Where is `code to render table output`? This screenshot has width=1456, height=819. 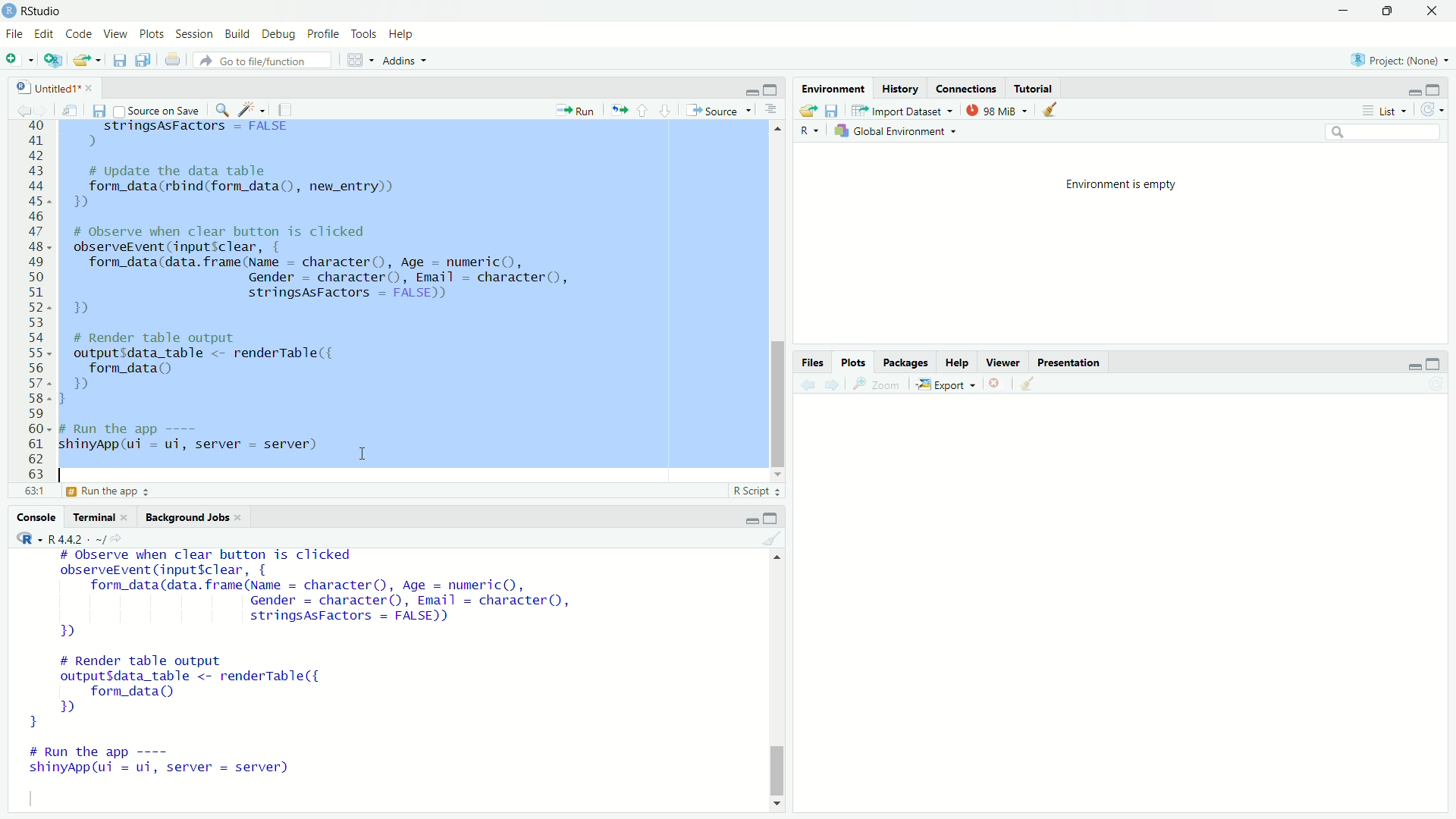
code to render table output is located at coordinates (209, 691).